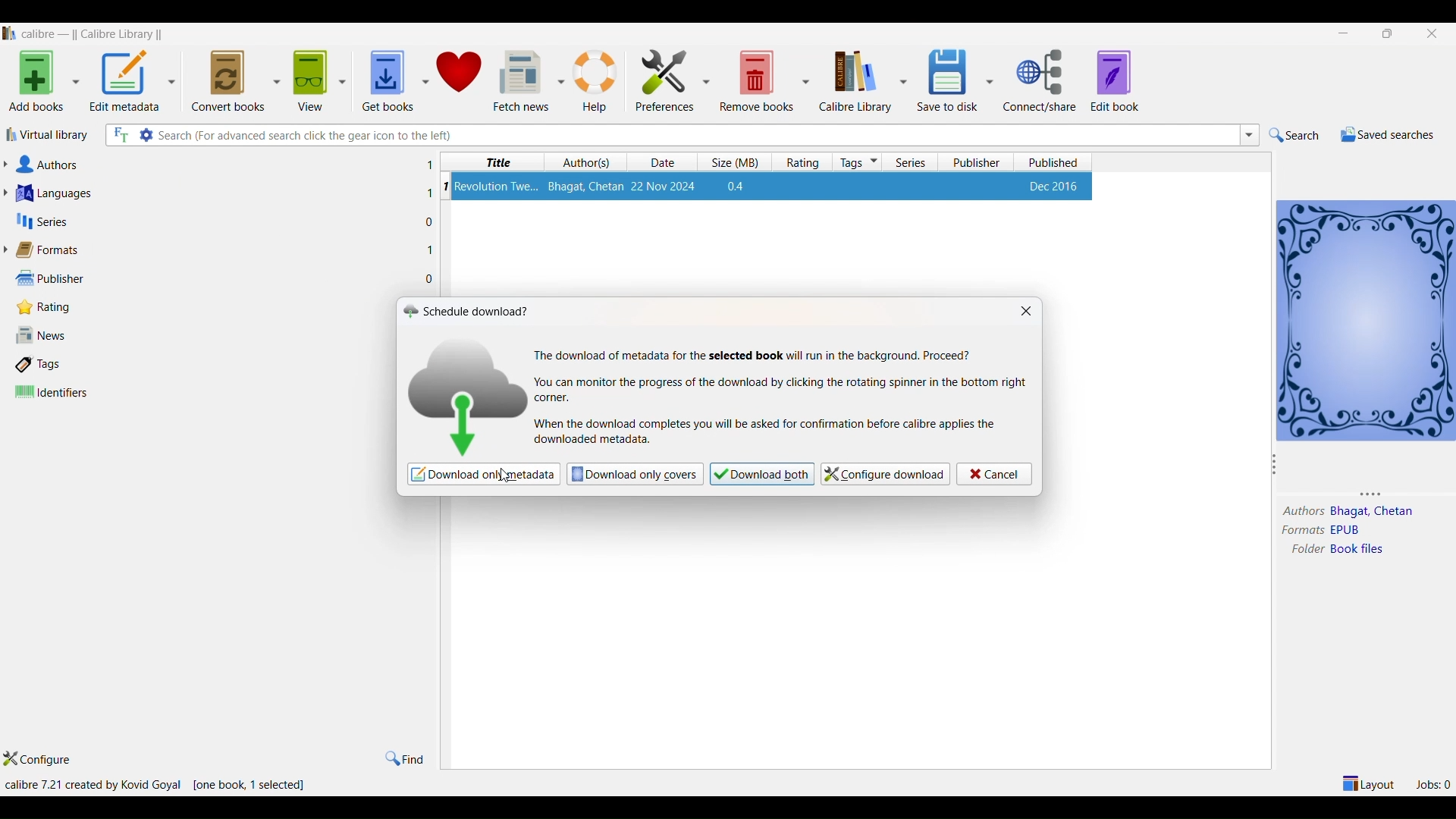 This screenshot has height=819, width=1456. What do you see at coordinates (659, 162) in the screenshot?
I see `date` at bounding box center [659, 162].